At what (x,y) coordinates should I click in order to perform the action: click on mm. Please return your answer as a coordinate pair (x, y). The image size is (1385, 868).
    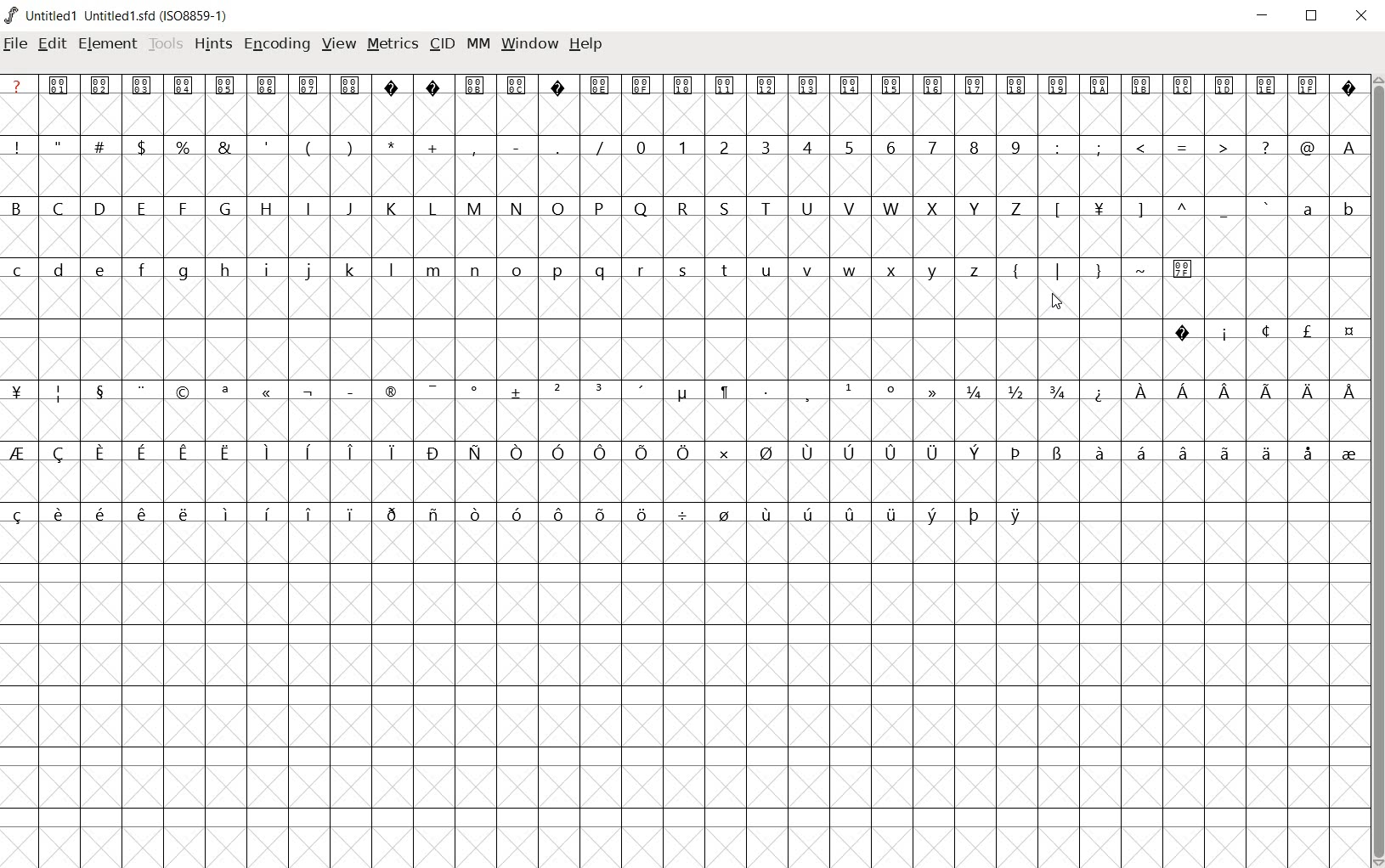
    Looking at the image, I should click on (478, 42).